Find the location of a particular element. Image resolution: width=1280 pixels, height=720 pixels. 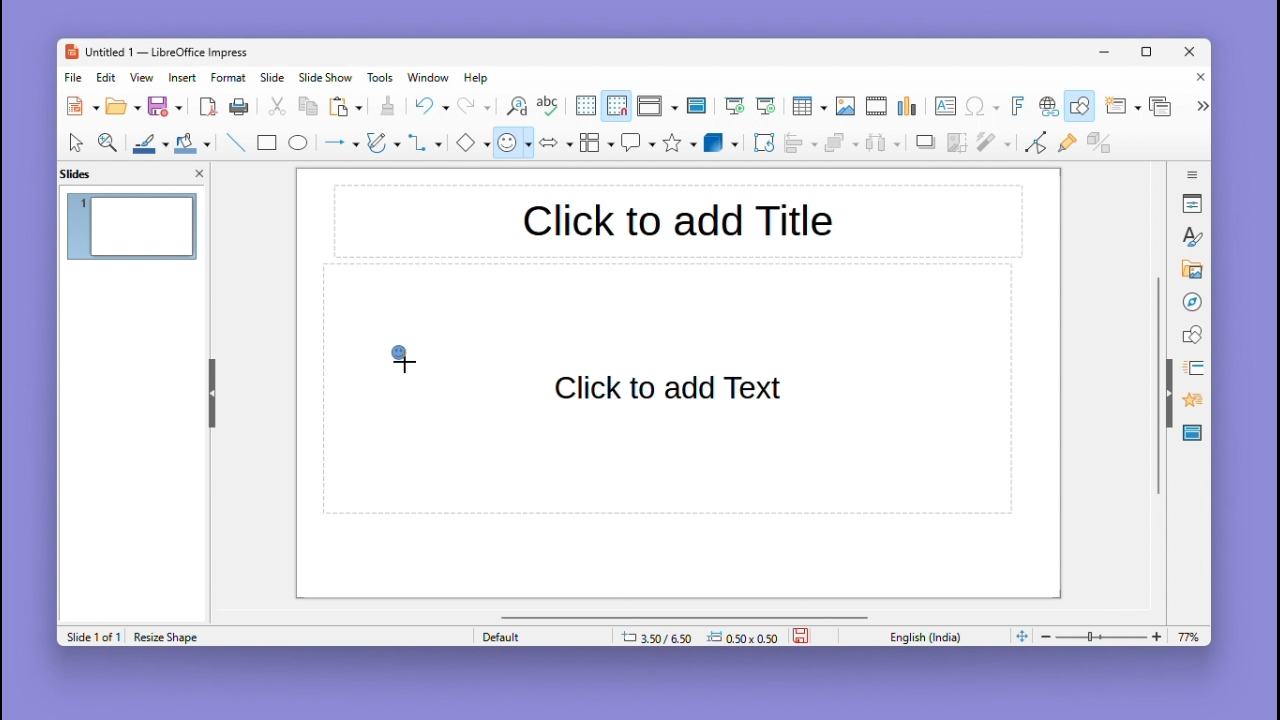

Display views is located at coordinates (655, 106).